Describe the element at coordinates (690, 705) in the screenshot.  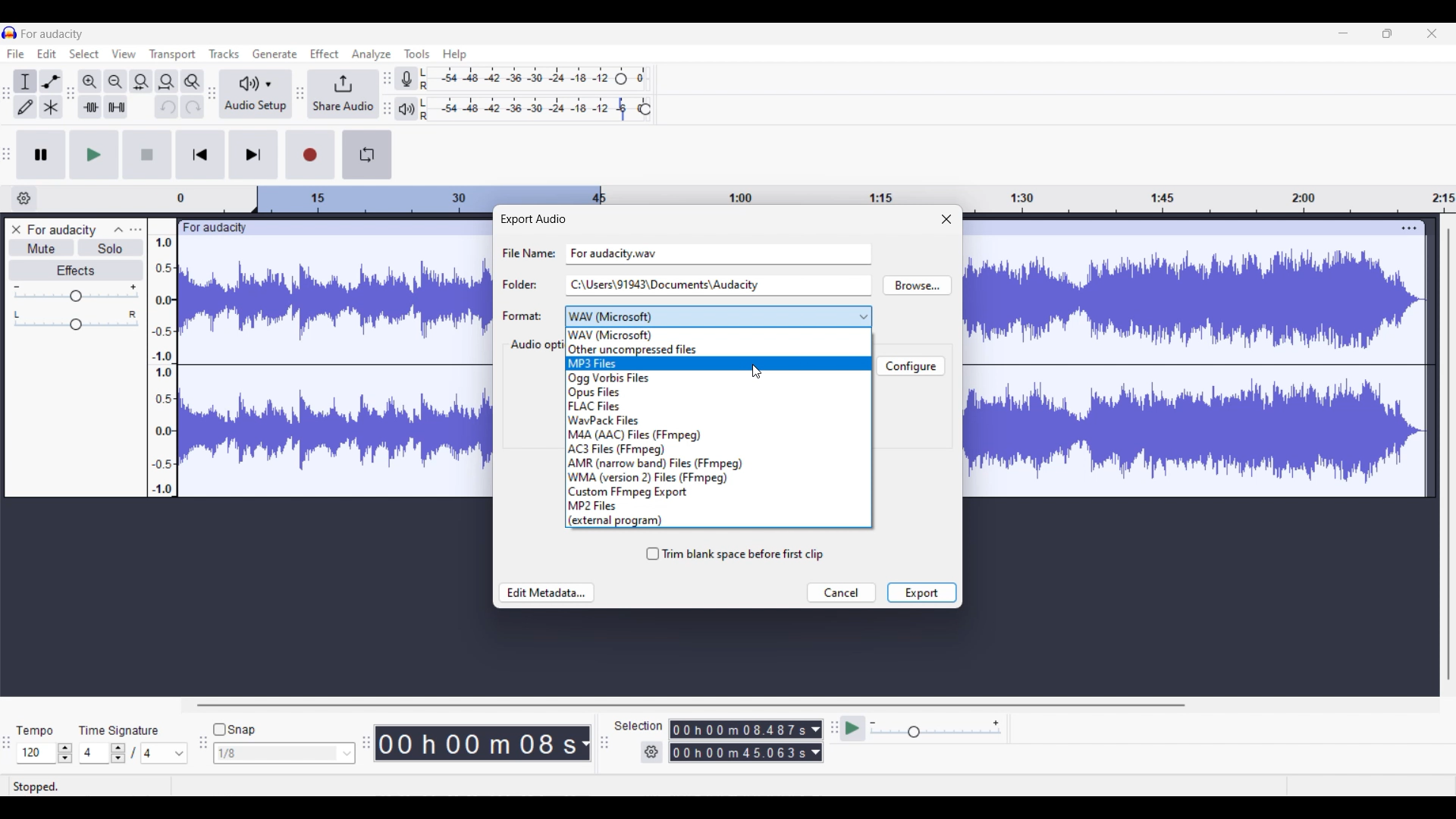
I see `Horizontal slide bar` at that location.